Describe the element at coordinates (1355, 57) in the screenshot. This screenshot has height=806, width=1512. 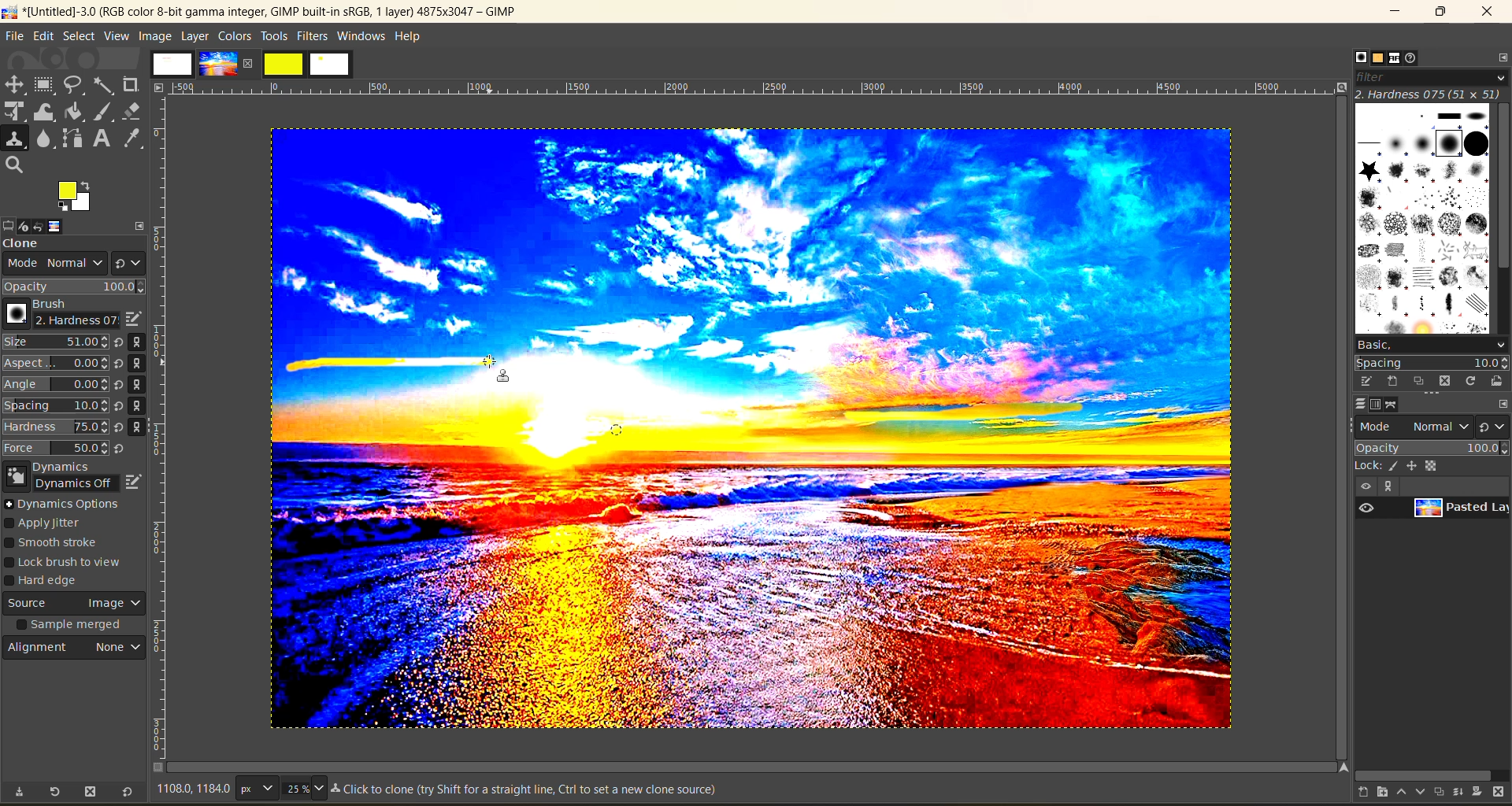
I see `brushes` at that location.